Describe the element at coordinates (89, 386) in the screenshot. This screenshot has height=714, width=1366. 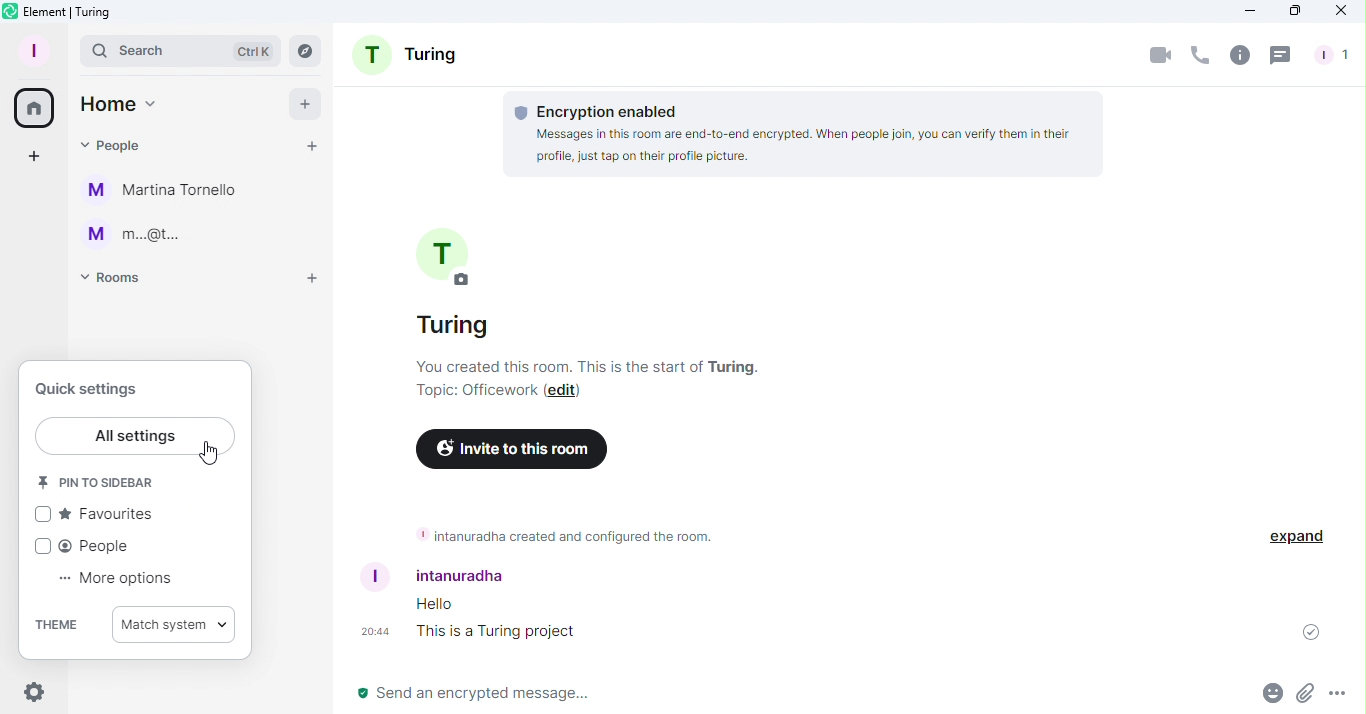
I see `Quick settings` at that location.